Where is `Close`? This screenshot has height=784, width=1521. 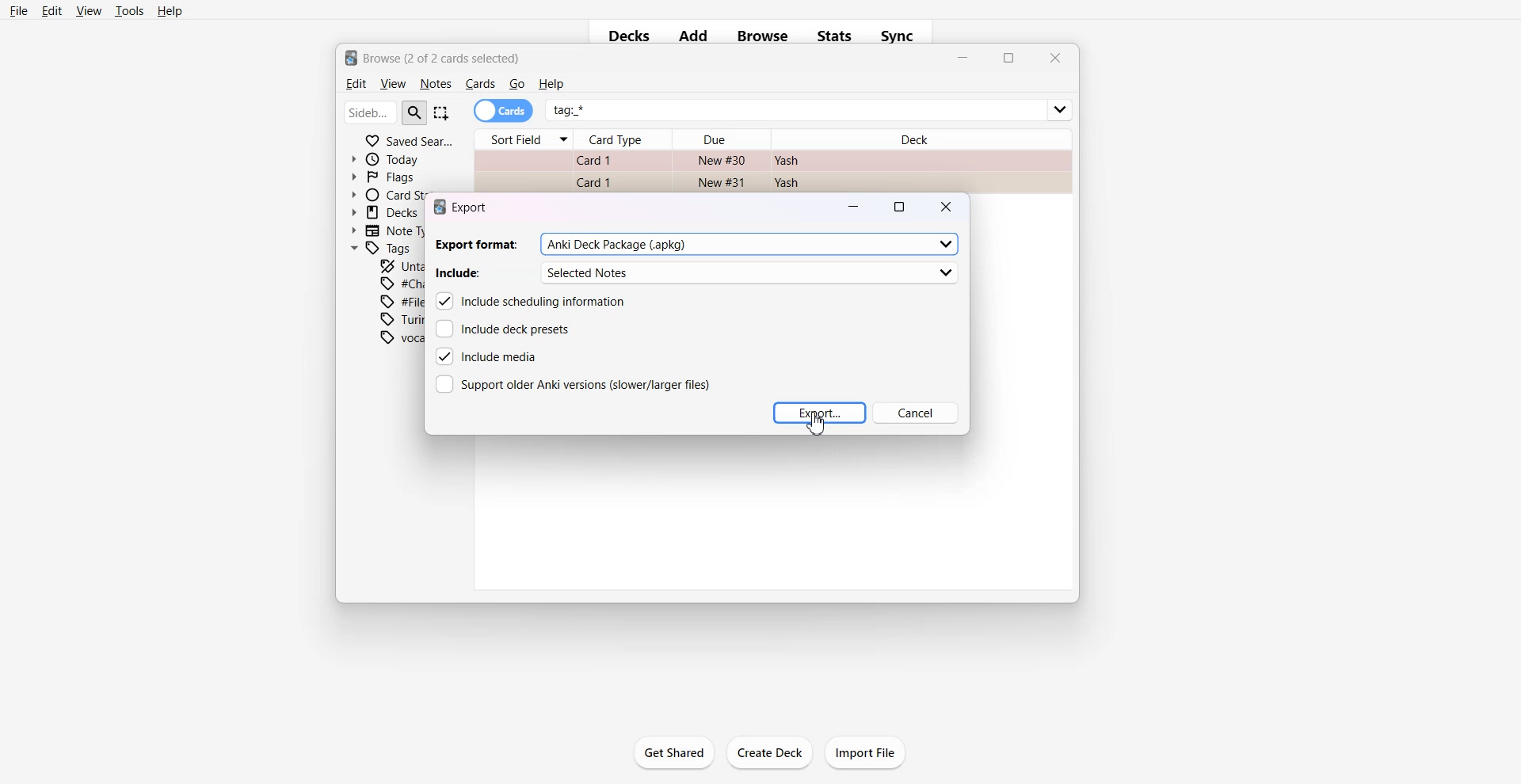 Close is located at coordinates (947, 205).